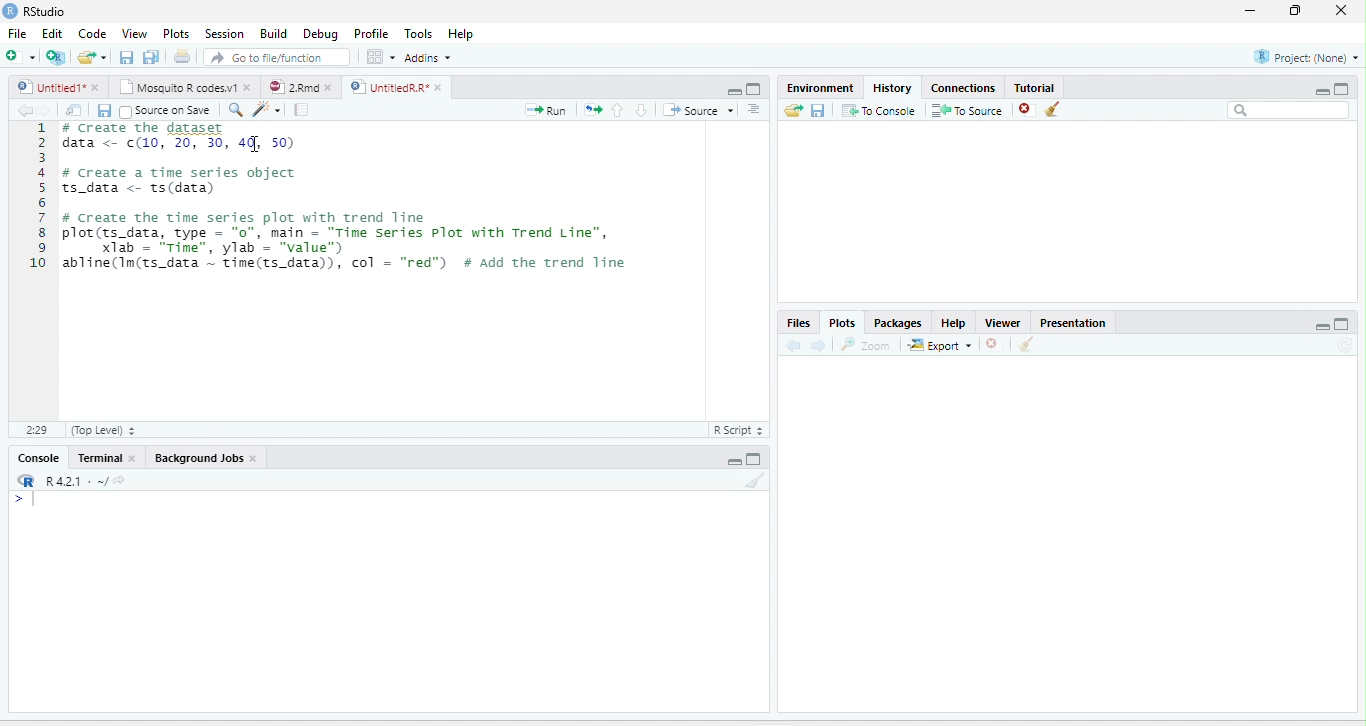 The width and height of the screenshot is (1366, 726). I want to click on Create a project, so click(55, 56).